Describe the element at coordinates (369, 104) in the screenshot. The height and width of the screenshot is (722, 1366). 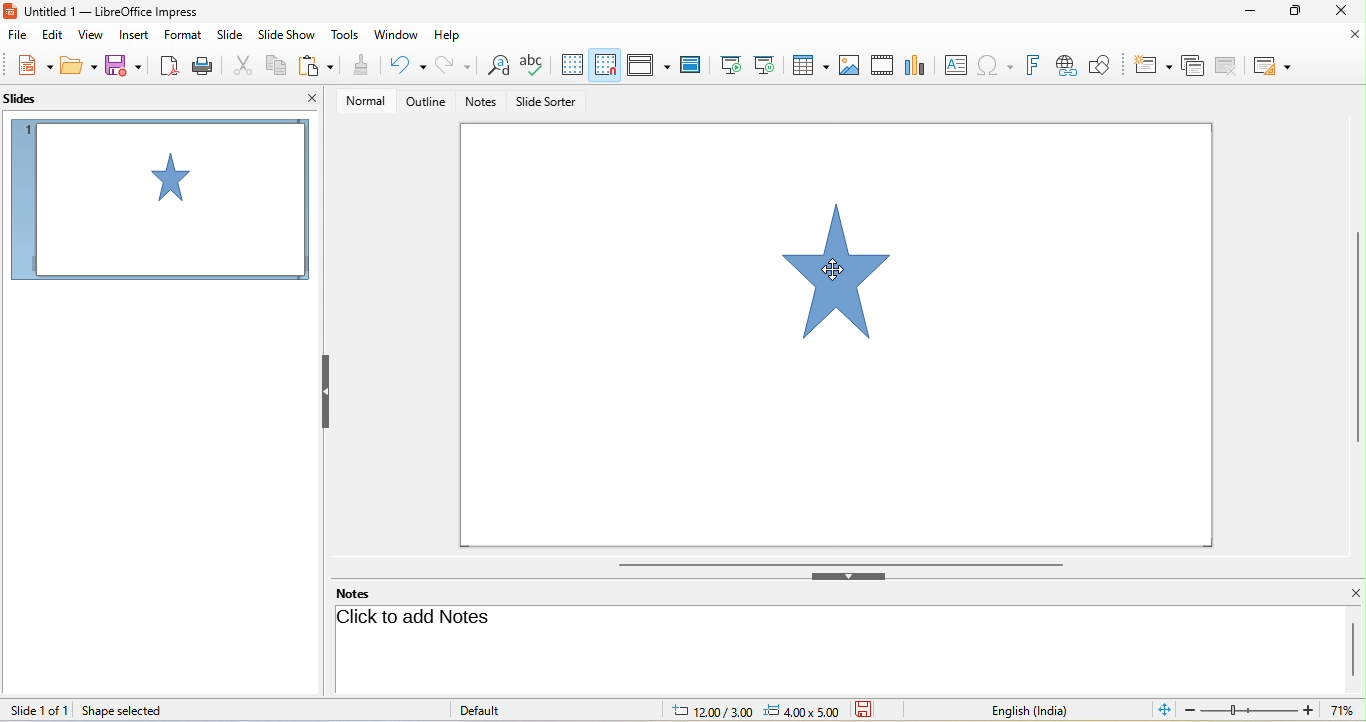
I see `normal` at that location.